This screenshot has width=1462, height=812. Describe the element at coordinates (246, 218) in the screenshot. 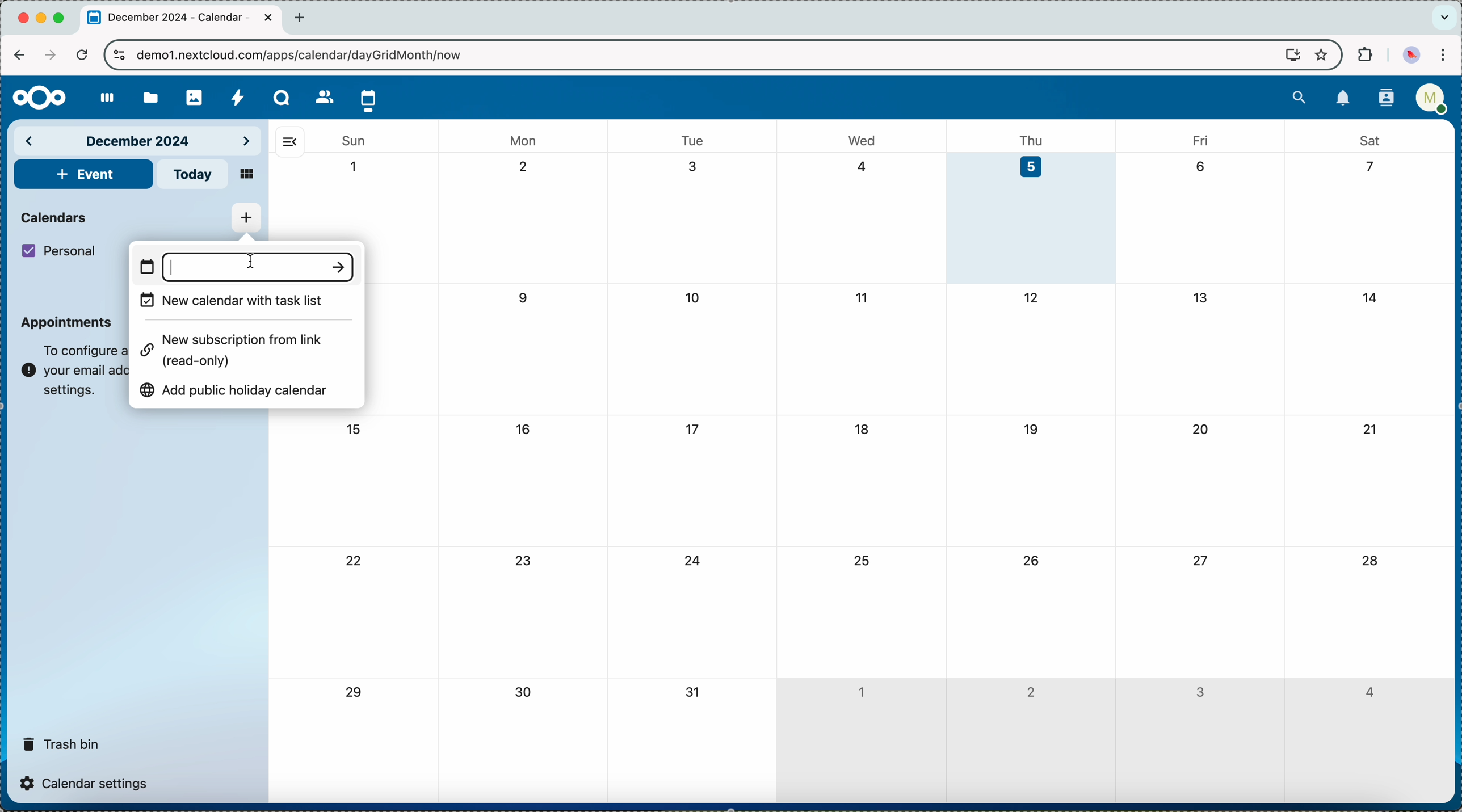

I see `click on add new calendar` at that location.